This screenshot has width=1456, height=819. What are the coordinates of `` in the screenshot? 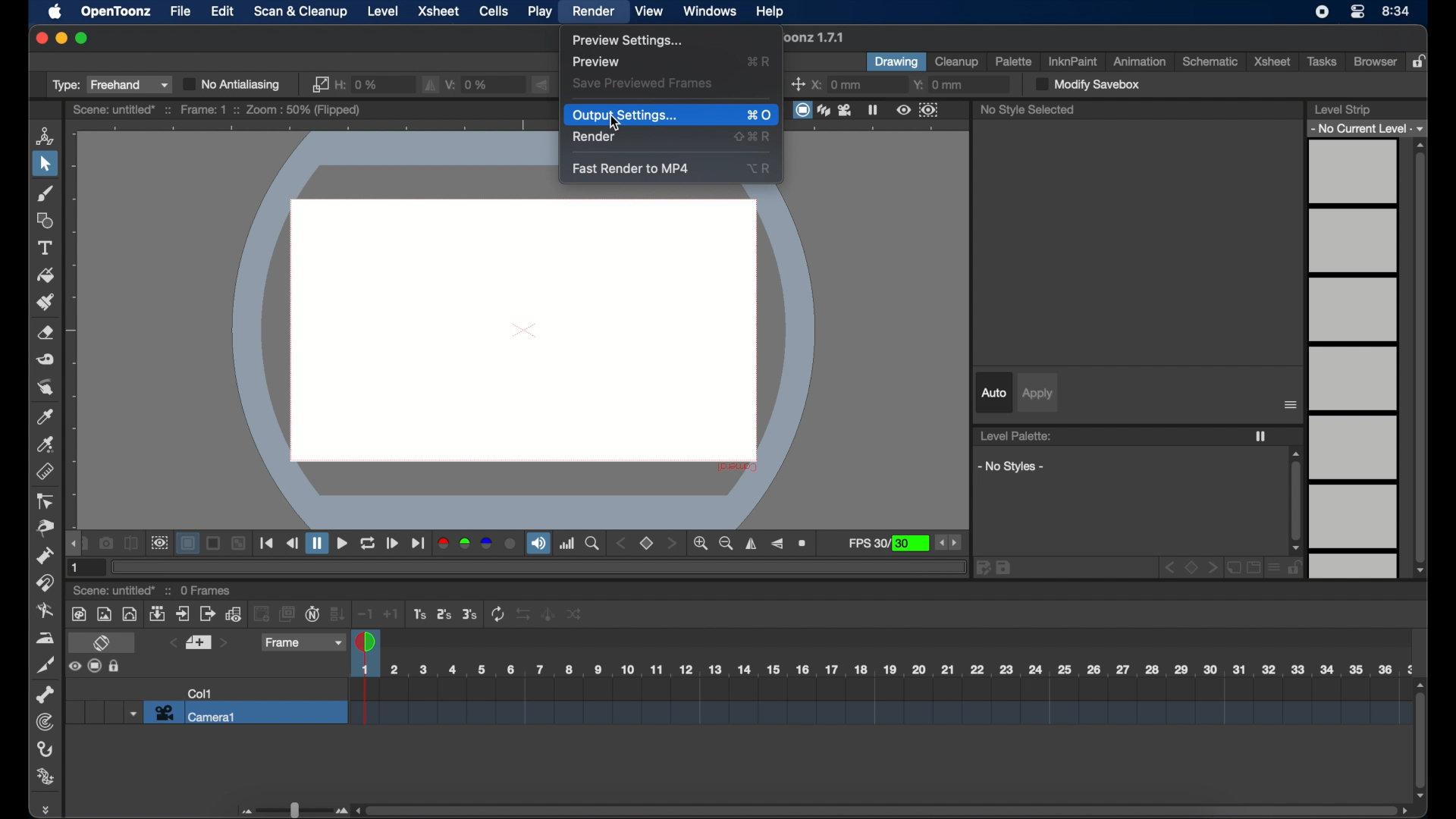 It's located at (344, 545).